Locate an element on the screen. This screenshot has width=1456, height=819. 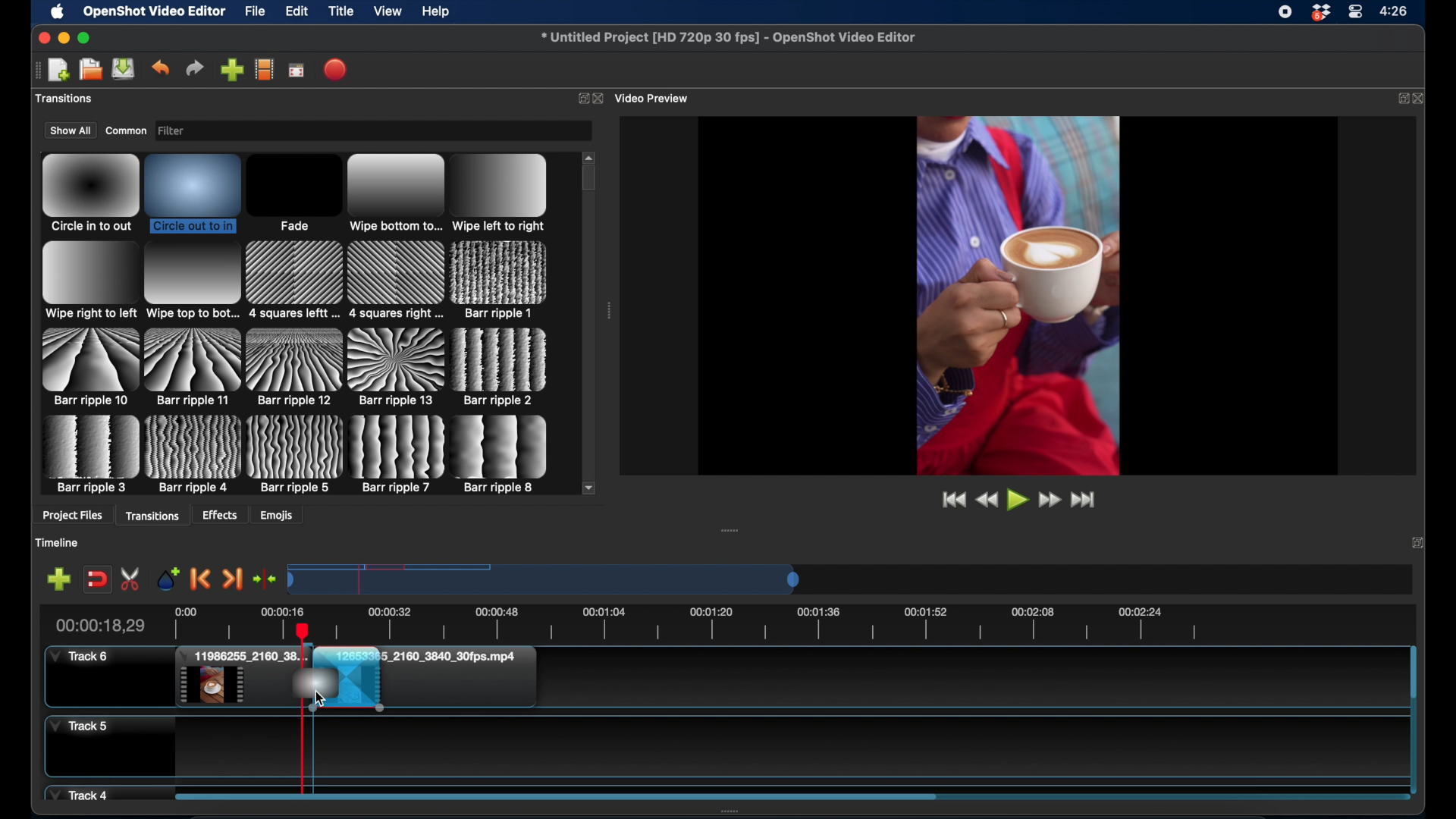
transition is located at coordinates (294, 281).